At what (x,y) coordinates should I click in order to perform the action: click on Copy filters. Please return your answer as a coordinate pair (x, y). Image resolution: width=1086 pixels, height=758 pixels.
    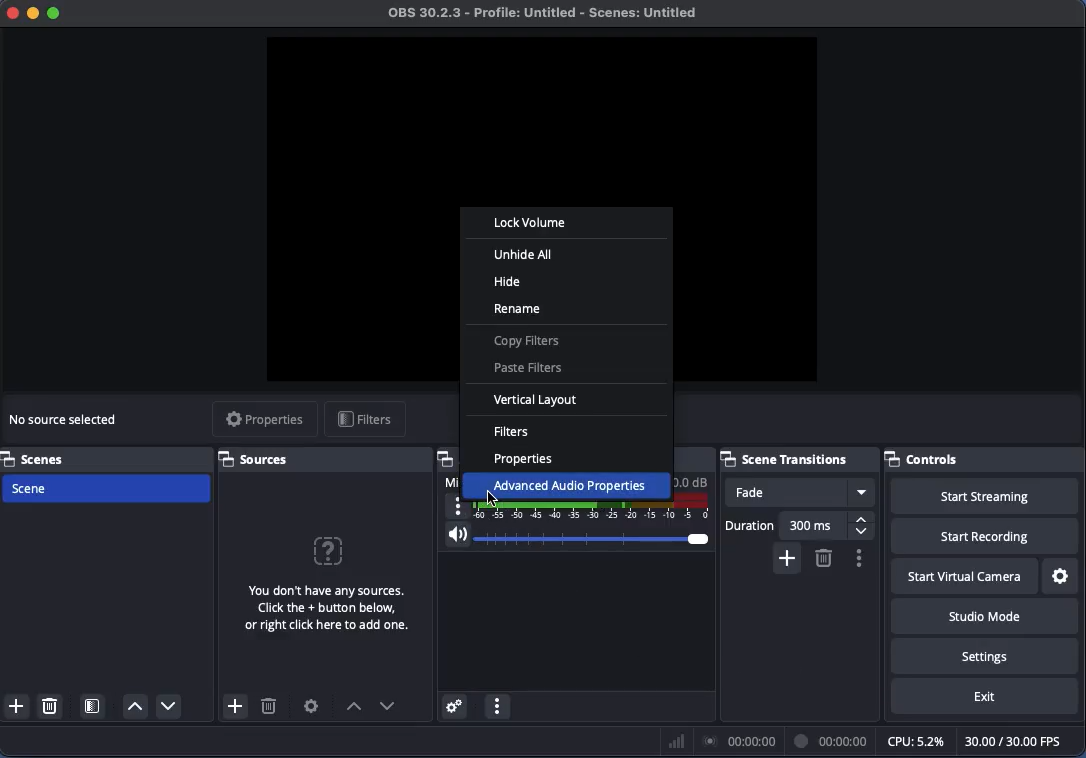
    Looking at the image, I should click on (528, 343).